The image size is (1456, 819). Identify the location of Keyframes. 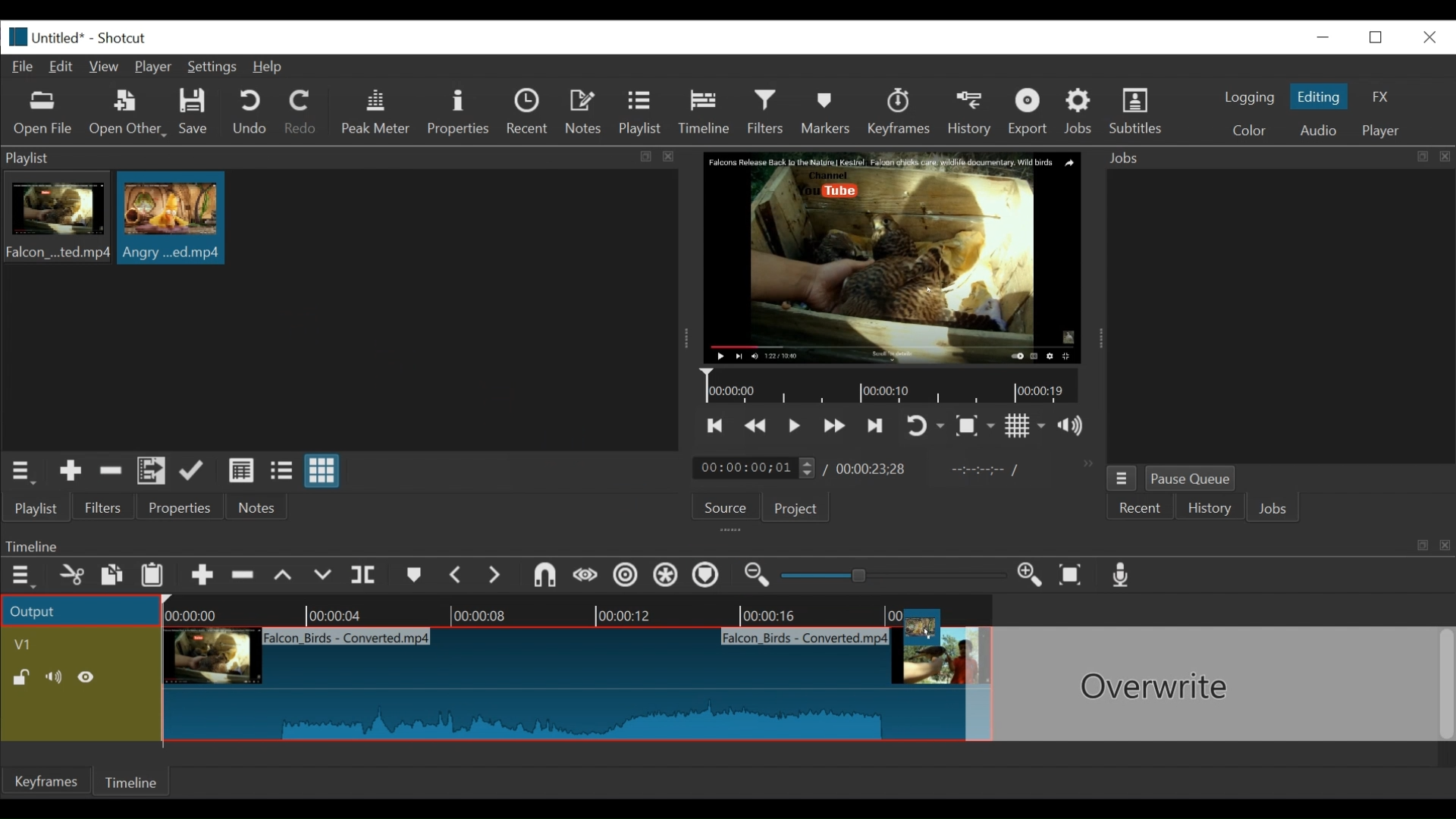
(48, 781).